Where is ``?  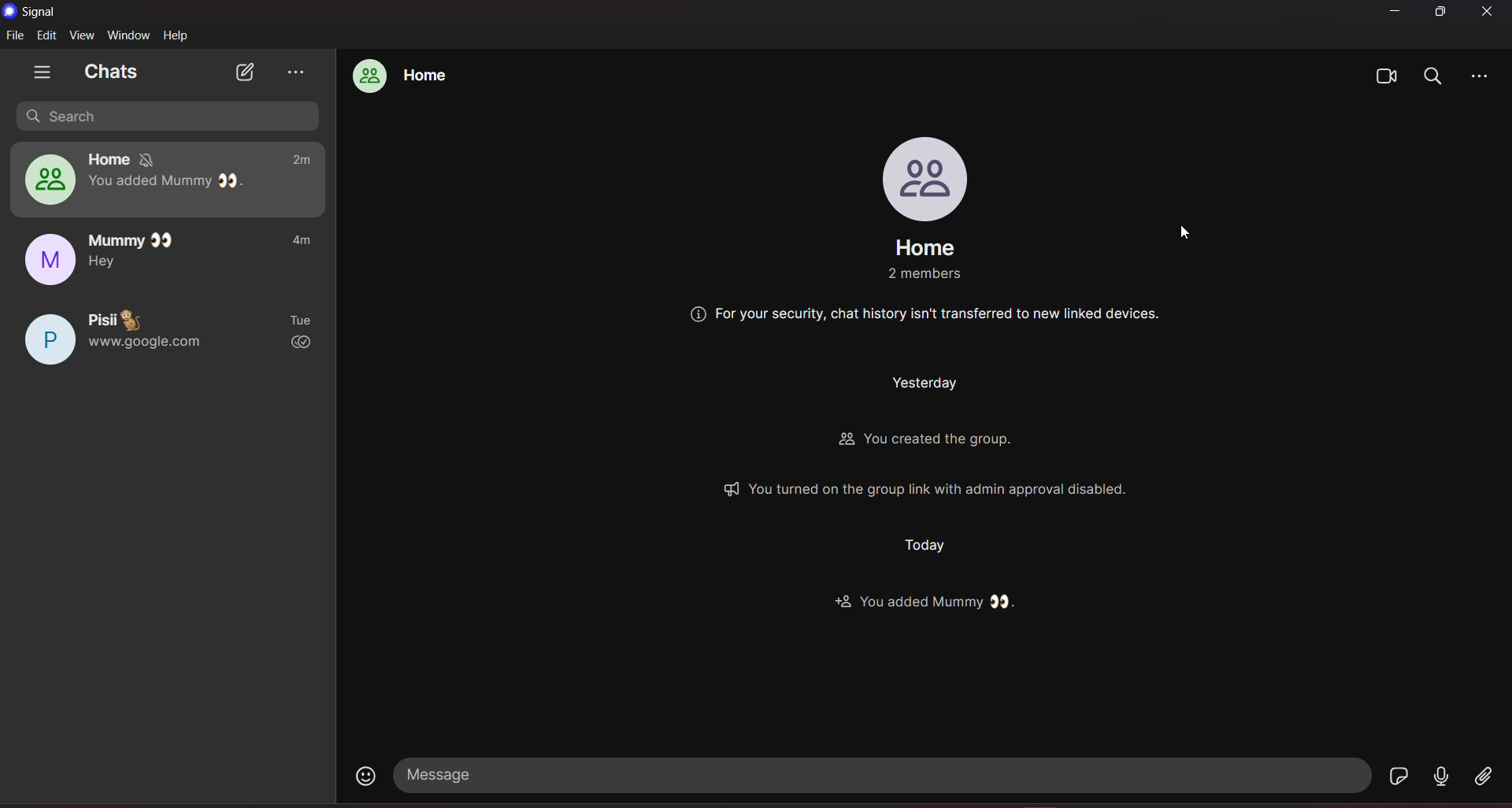  is located at coordinates (930, 444).